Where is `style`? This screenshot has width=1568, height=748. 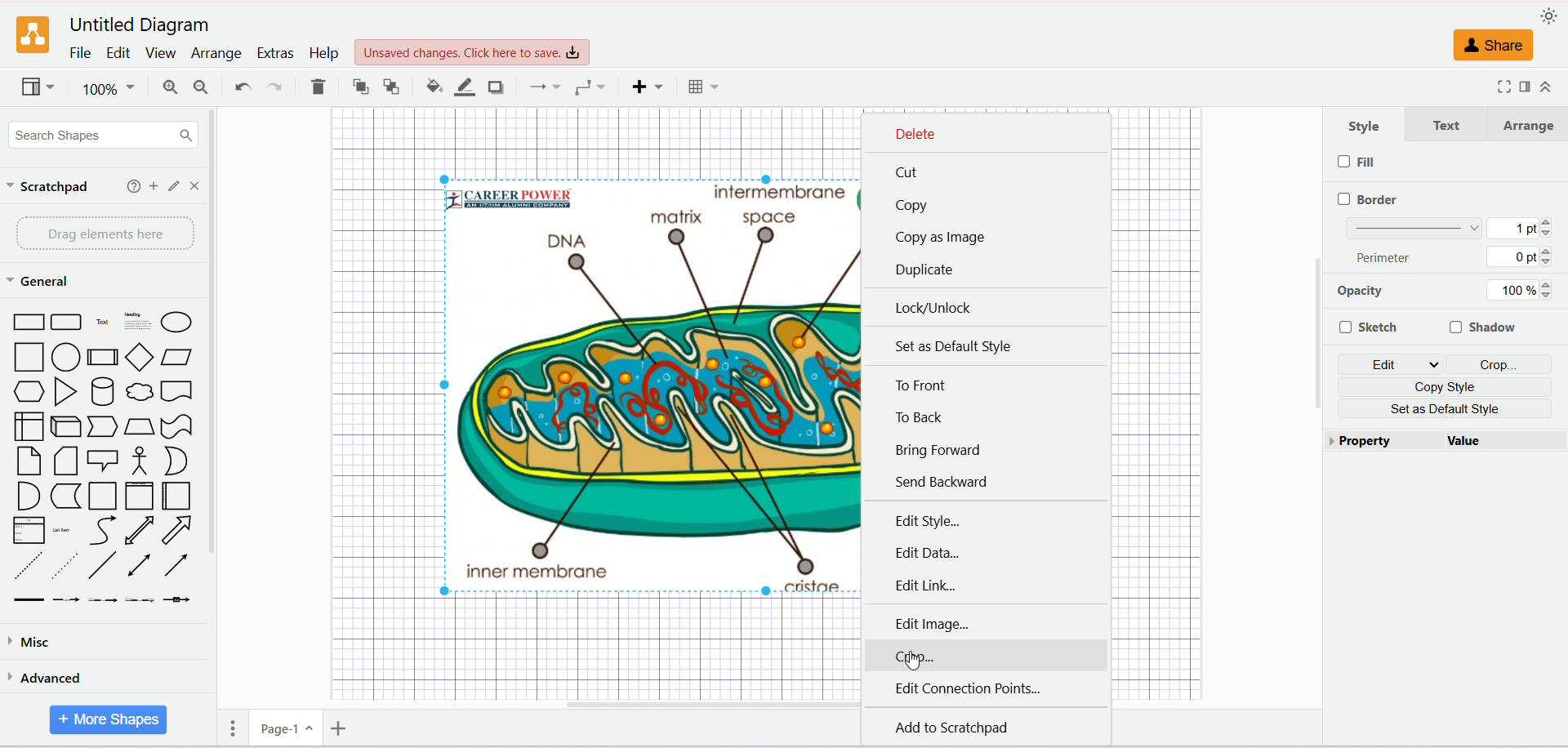 style is located at coordinates (1365, 124).